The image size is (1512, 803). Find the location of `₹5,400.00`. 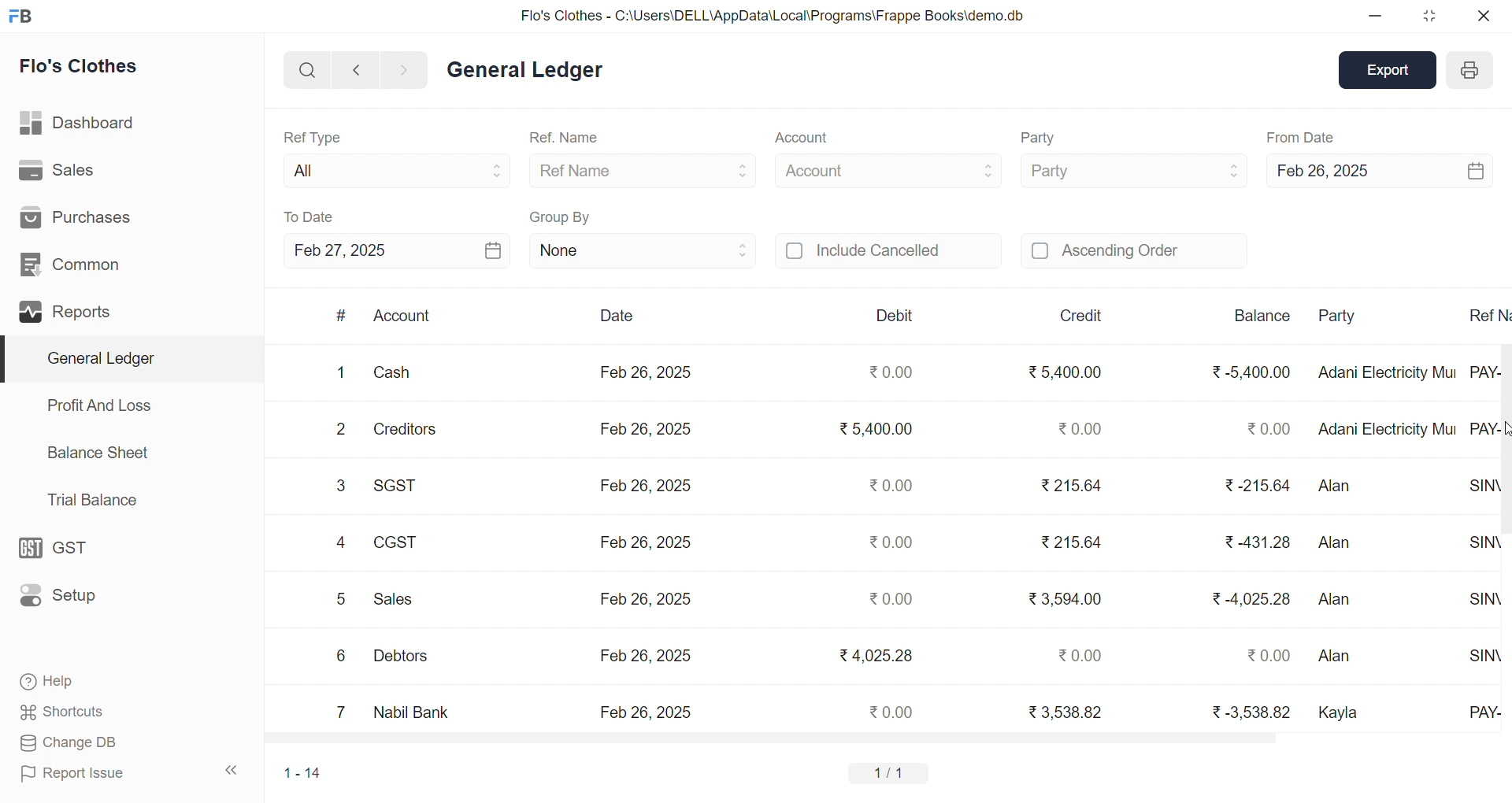

₹5,400.00 is located at coordinates (878, 431).